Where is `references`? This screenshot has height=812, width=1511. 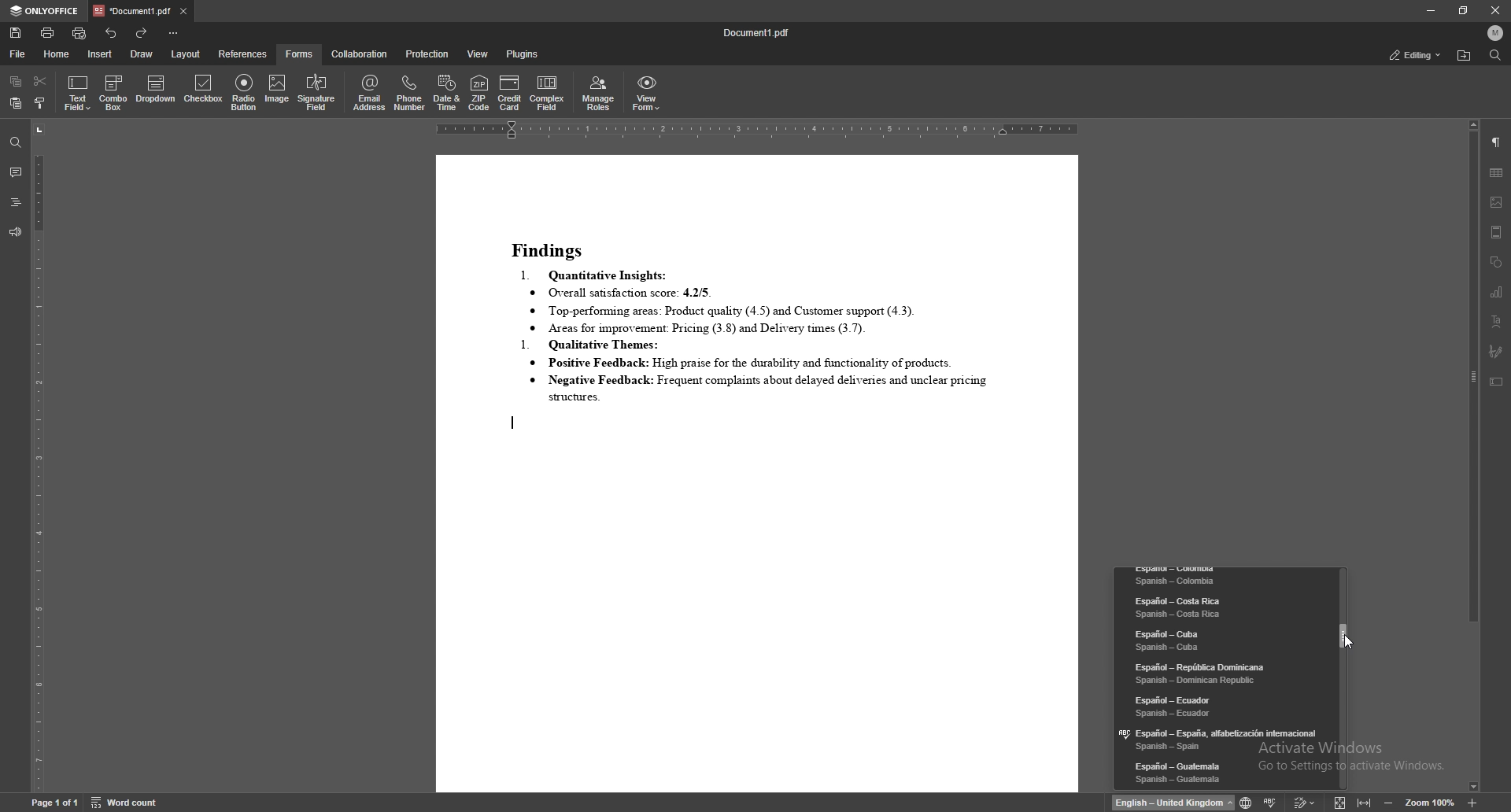
references is located at coordinates (244, 54).